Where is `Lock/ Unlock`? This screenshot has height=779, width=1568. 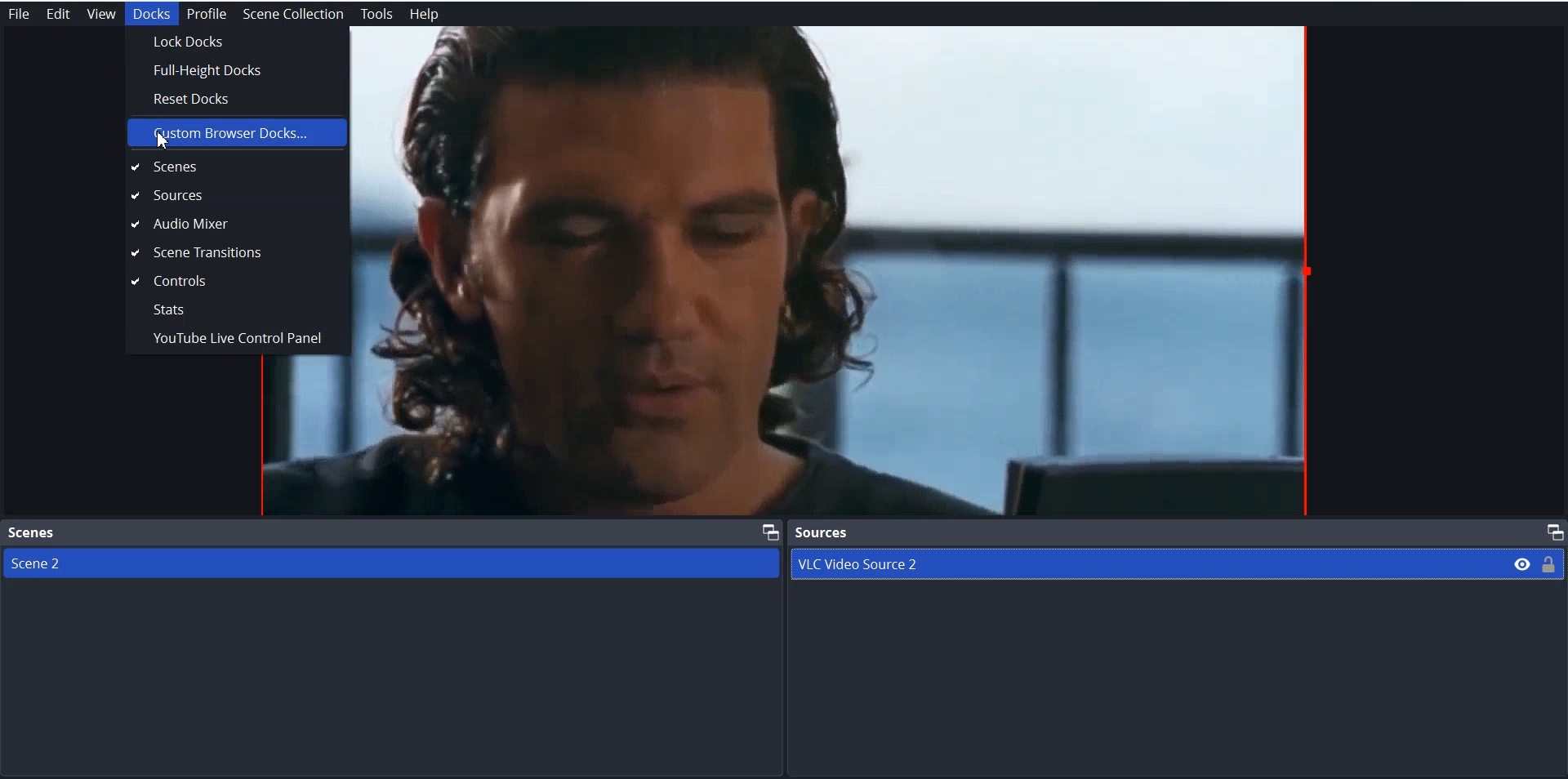 Lock/ Unlock is located at coordinates (1549, 563).